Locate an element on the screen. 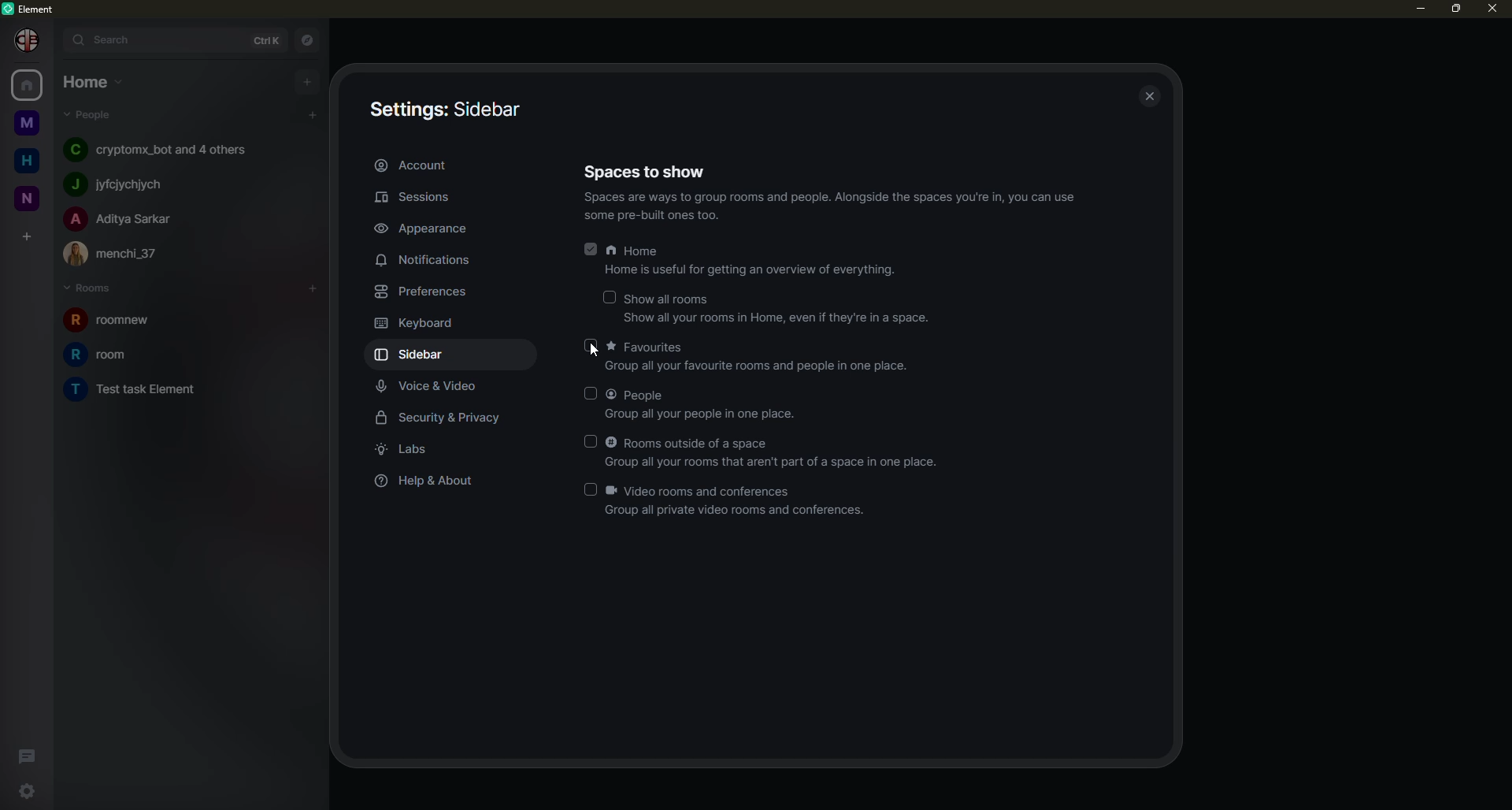 The width and height of the screenshot is (1512, 810). account is located at coordinates (412, 165).